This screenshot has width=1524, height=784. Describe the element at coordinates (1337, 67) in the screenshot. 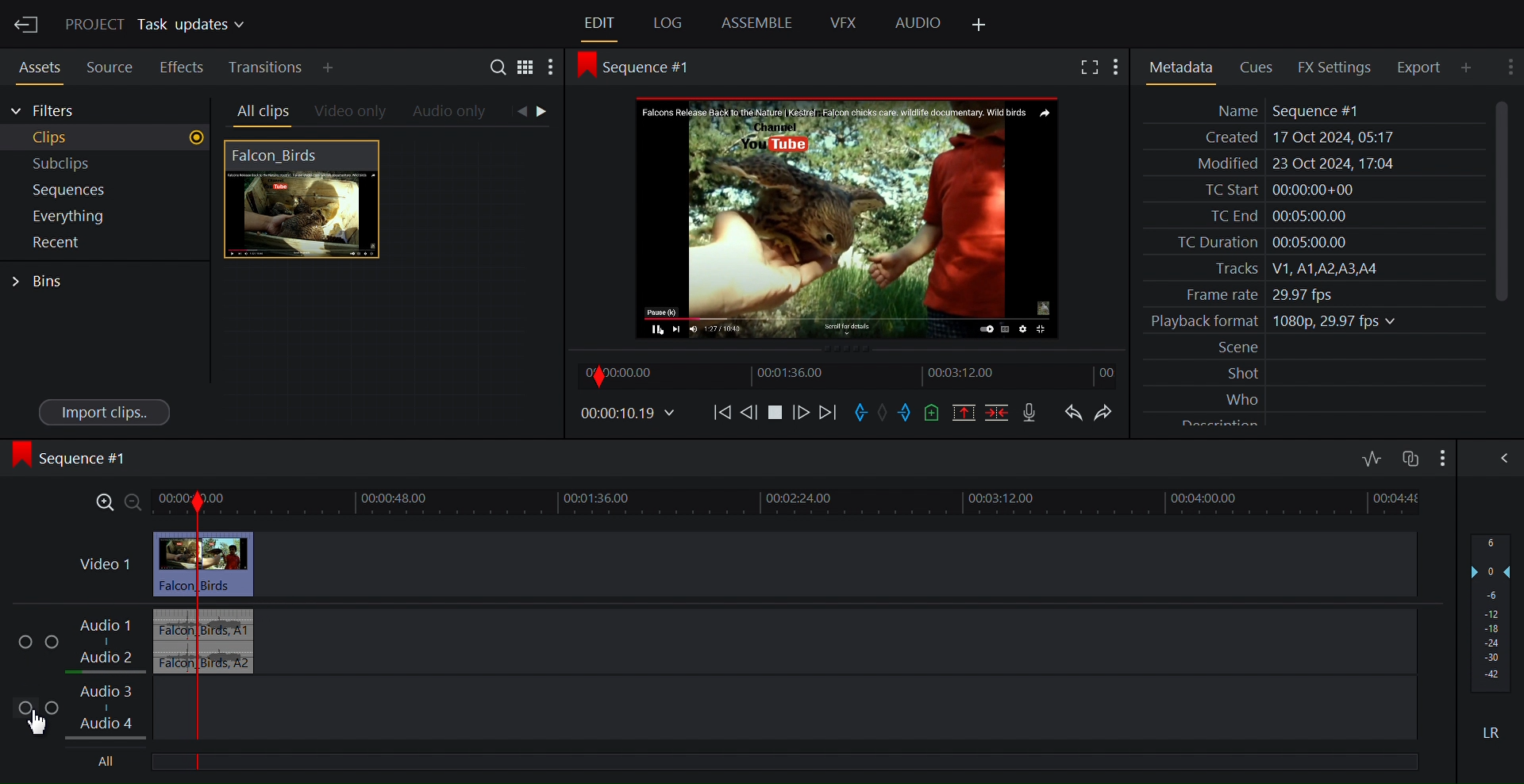

I see `FX Settings` at that location.